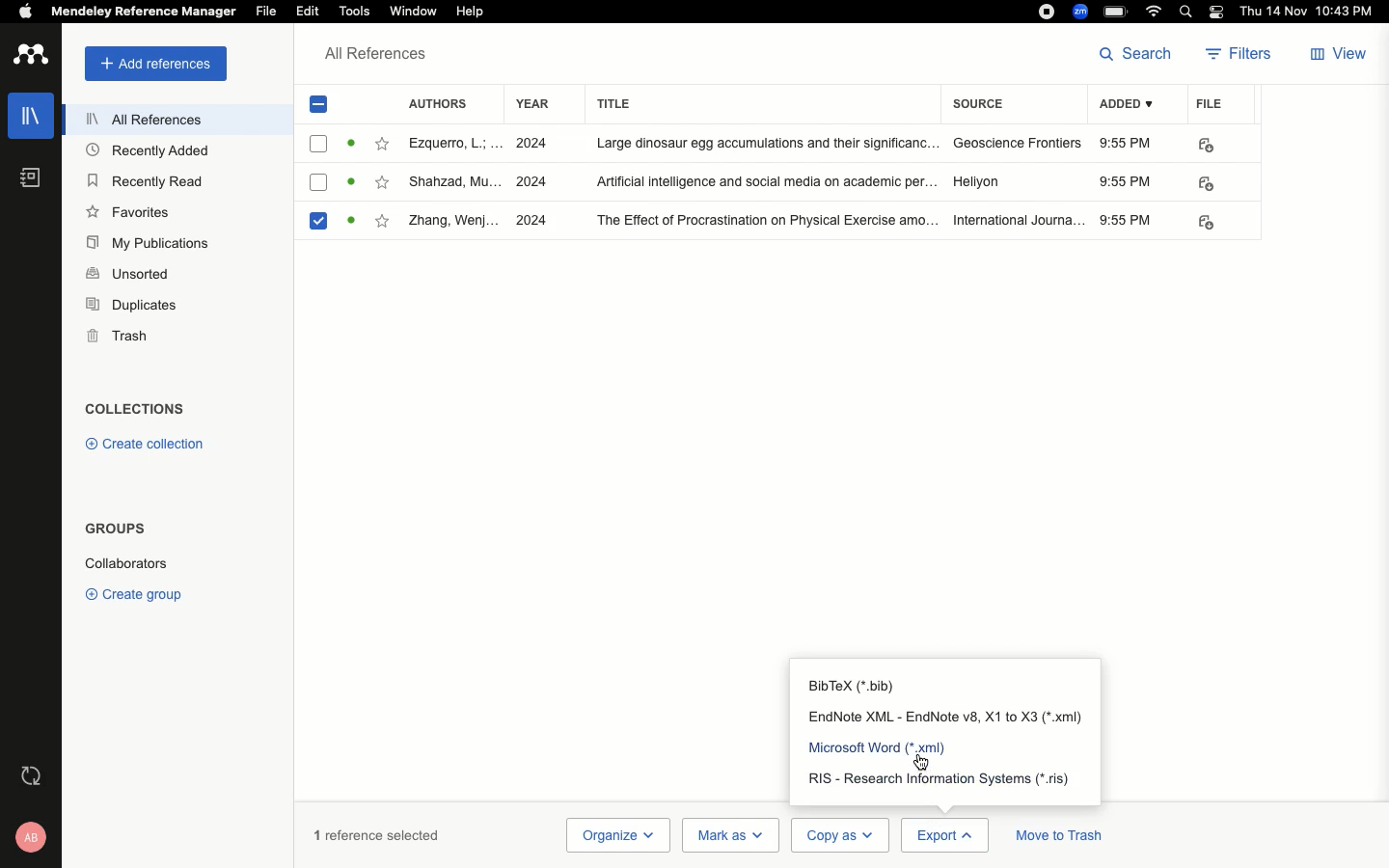 The image size is (1389, 868). What do you see at coordinates (380, 143) in the screenshot?
I see `Favorites` at bounding box center [380, 143].